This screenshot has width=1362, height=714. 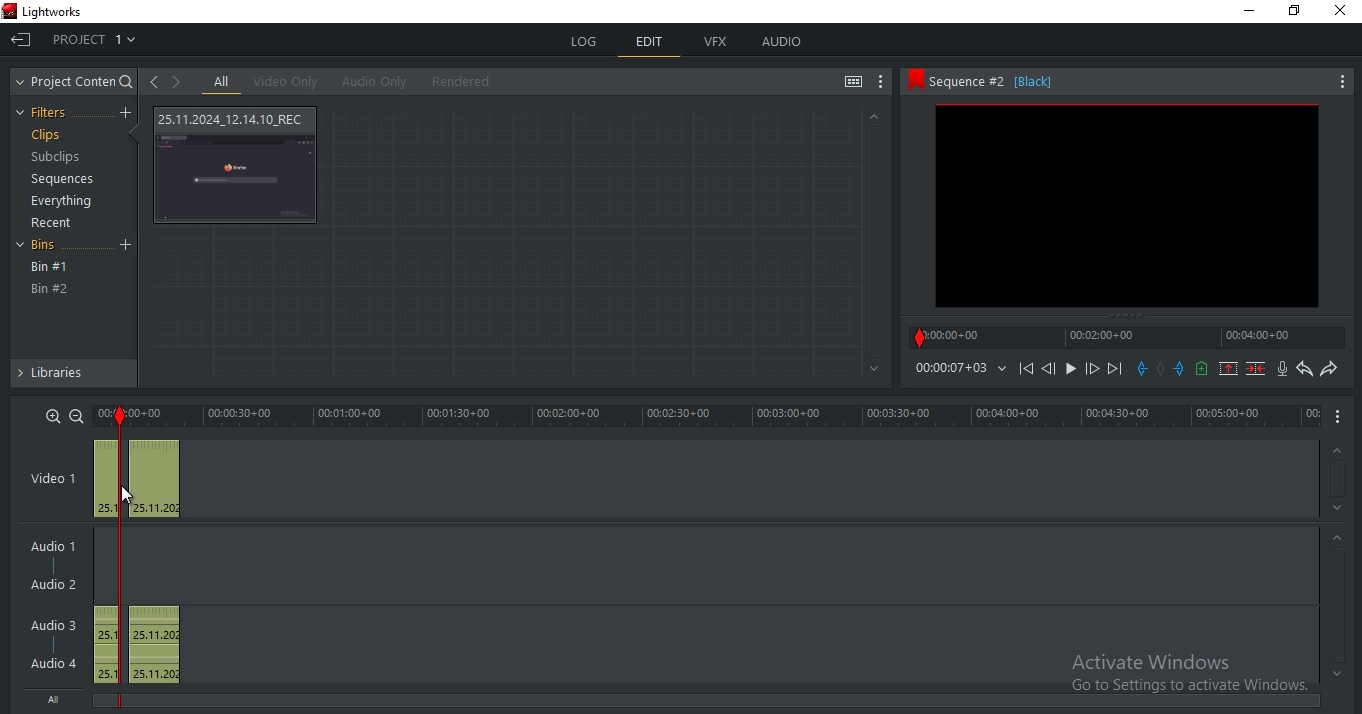 I want to click on add a cue, so click(x=1203, y=369).